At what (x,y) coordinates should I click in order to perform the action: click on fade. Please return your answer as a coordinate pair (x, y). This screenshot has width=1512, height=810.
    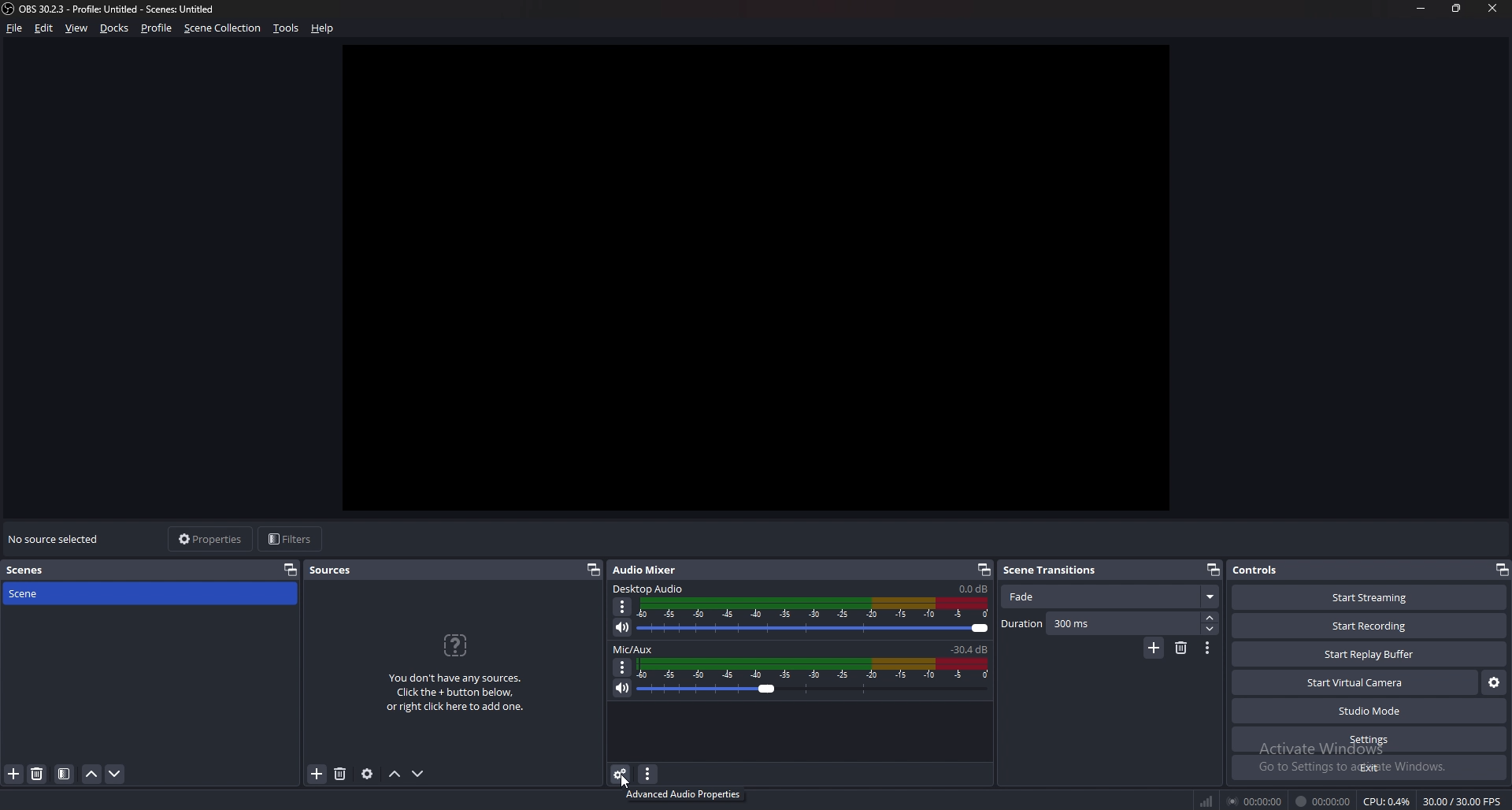
    Looking at the image, I should click on (1112, 595).